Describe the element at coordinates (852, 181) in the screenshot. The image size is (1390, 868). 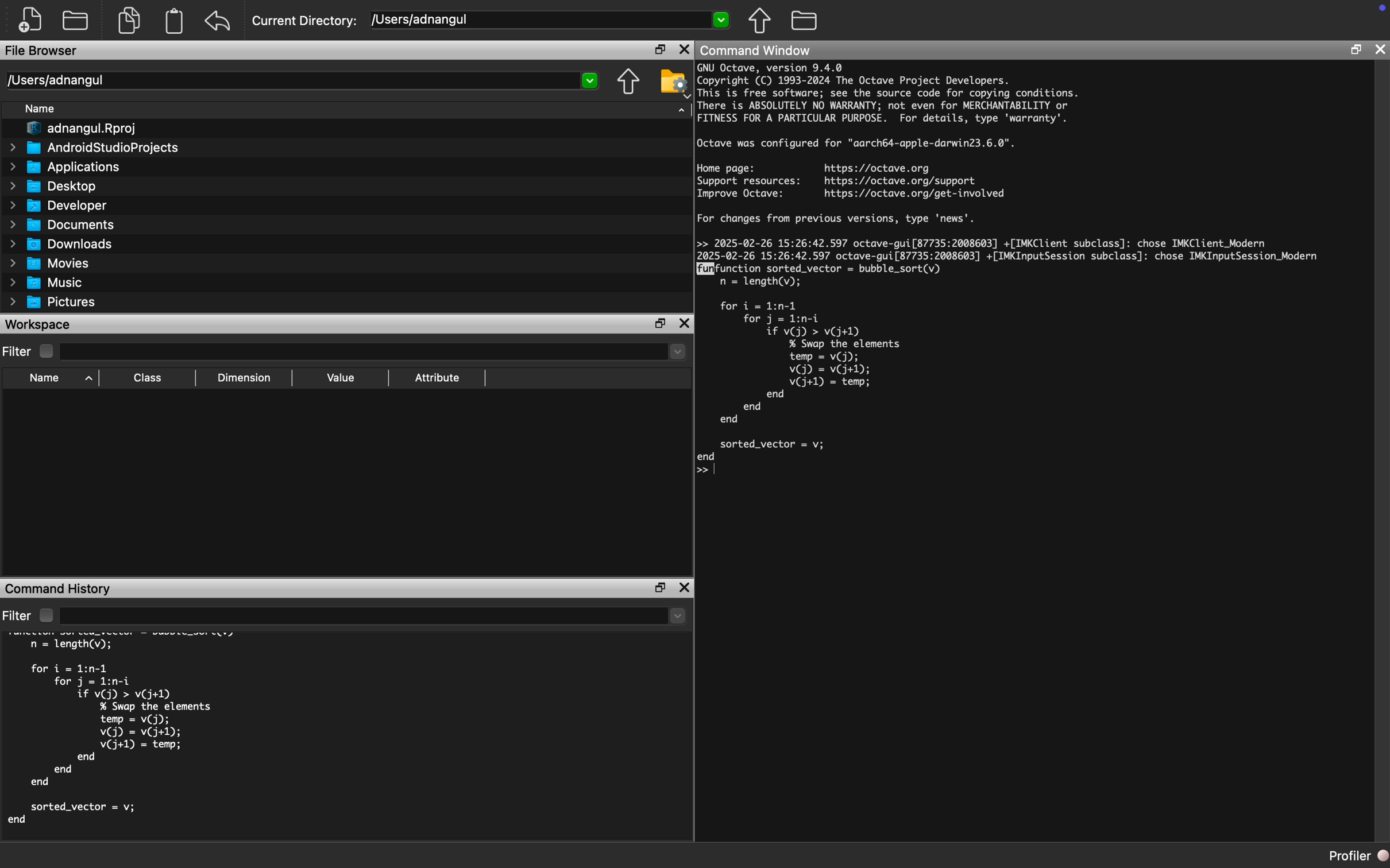
I see `Home page: https://octave.org
Support resources: https://octave.org/support
Improve Octave: https://octave.org/get-involved` at that location.